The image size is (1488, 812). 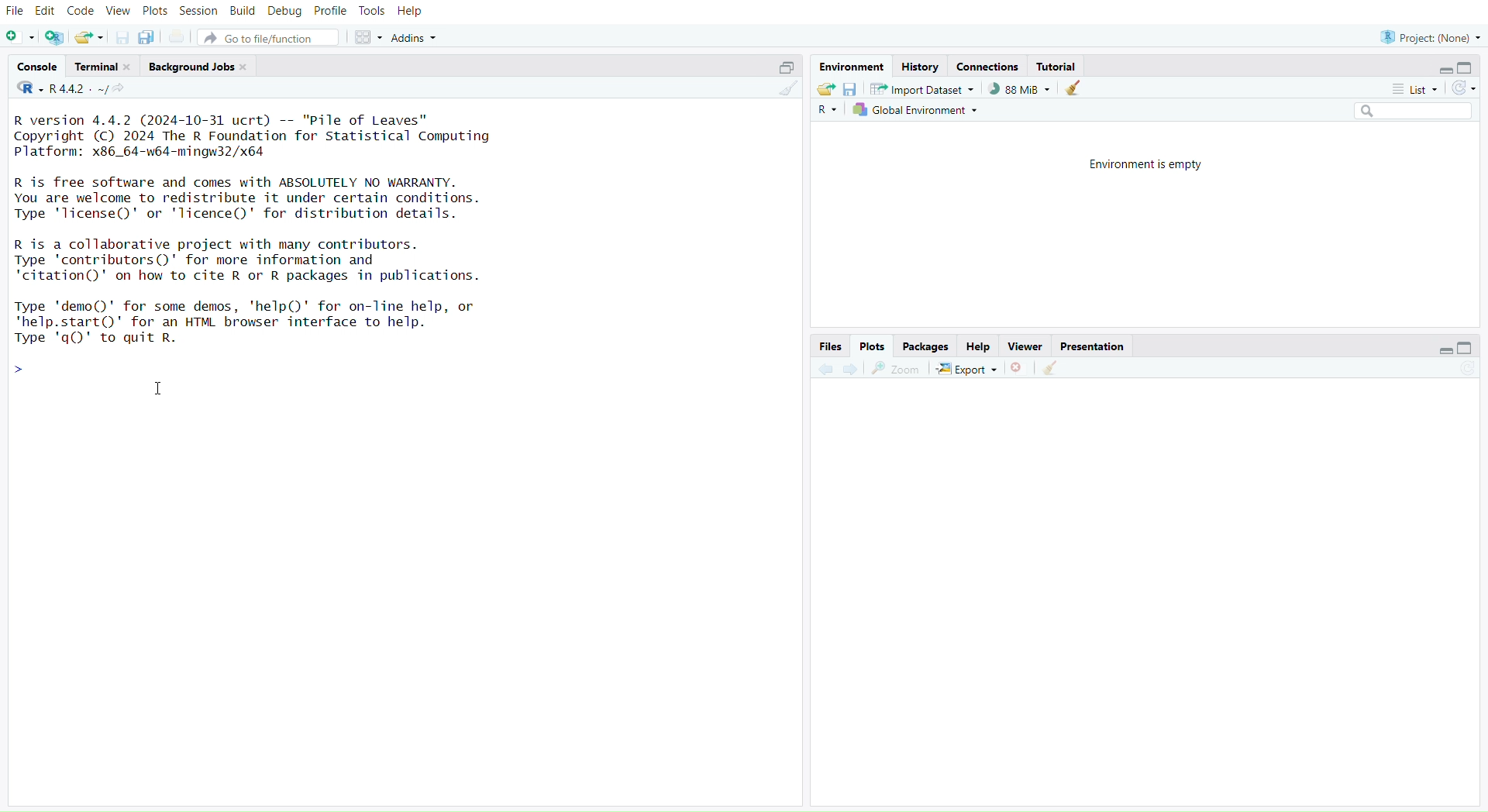 What do you see at coordinates (63, 89) in the screenshot?
I see `R 4.4.2` at bounding box center [63, 89].